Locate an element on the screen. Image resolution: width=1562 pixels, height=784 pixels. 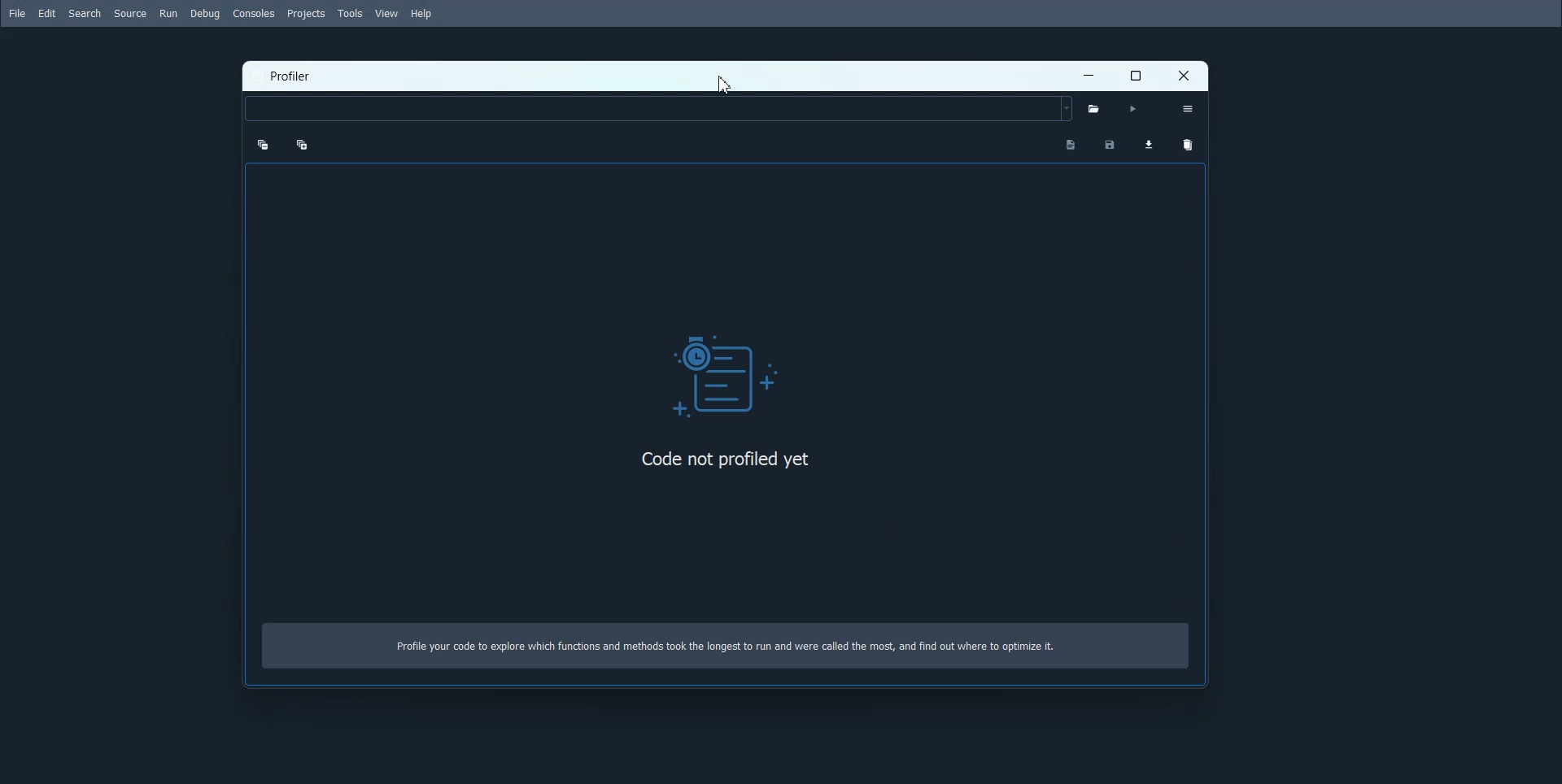
Edit is located at coordinates (46, 13).